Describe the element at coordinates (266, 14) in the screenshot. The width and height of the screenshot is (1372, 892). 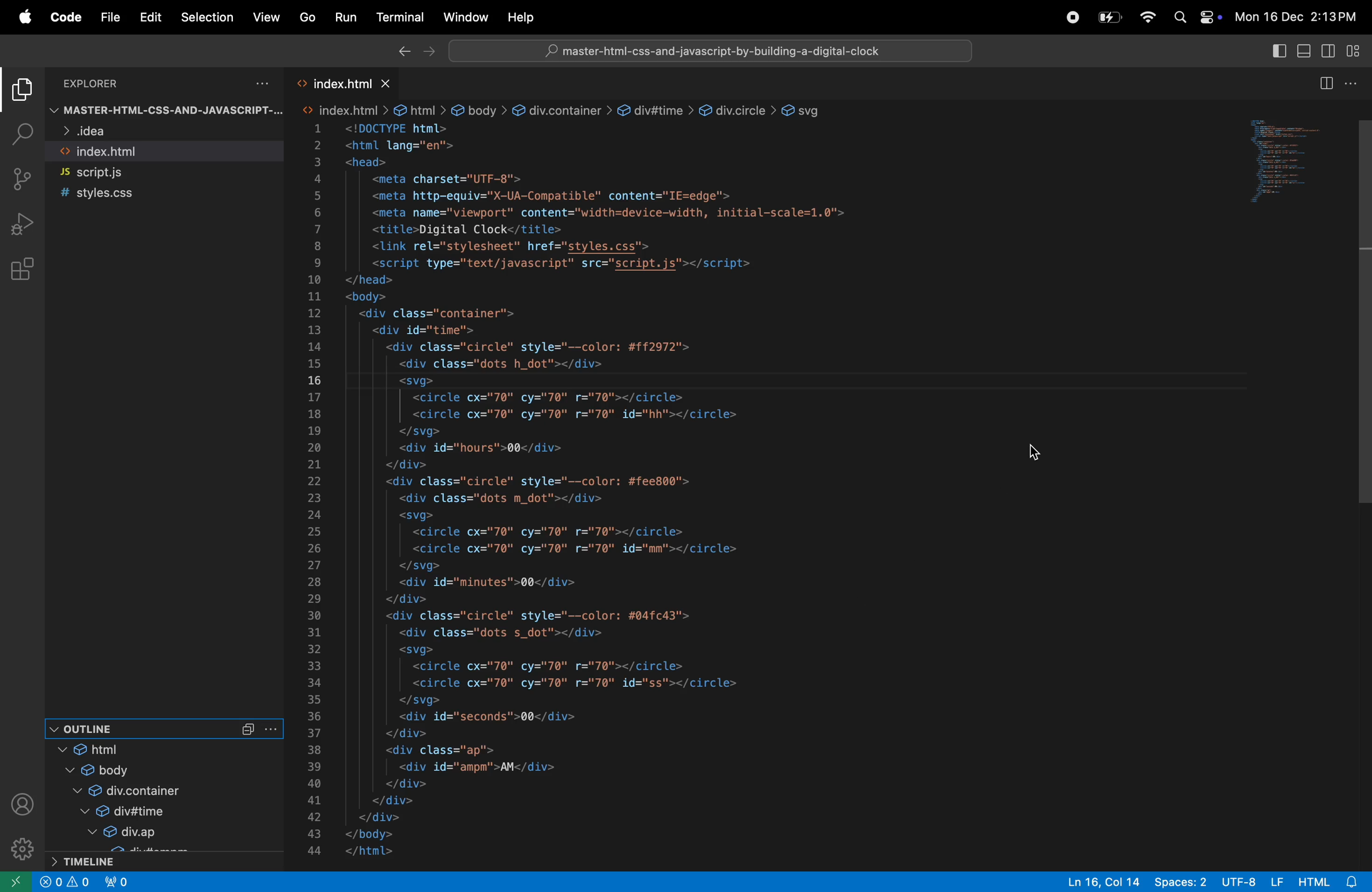
I see `view` at that location.